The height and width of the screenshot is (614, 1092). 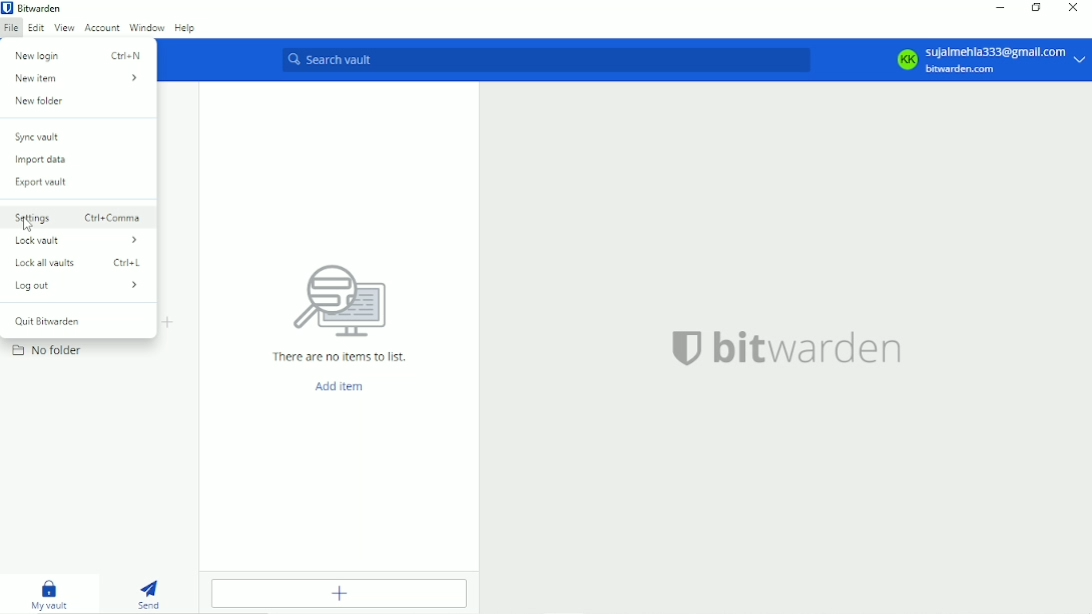 I want to click on Search vault, so click(x=549, y=59).